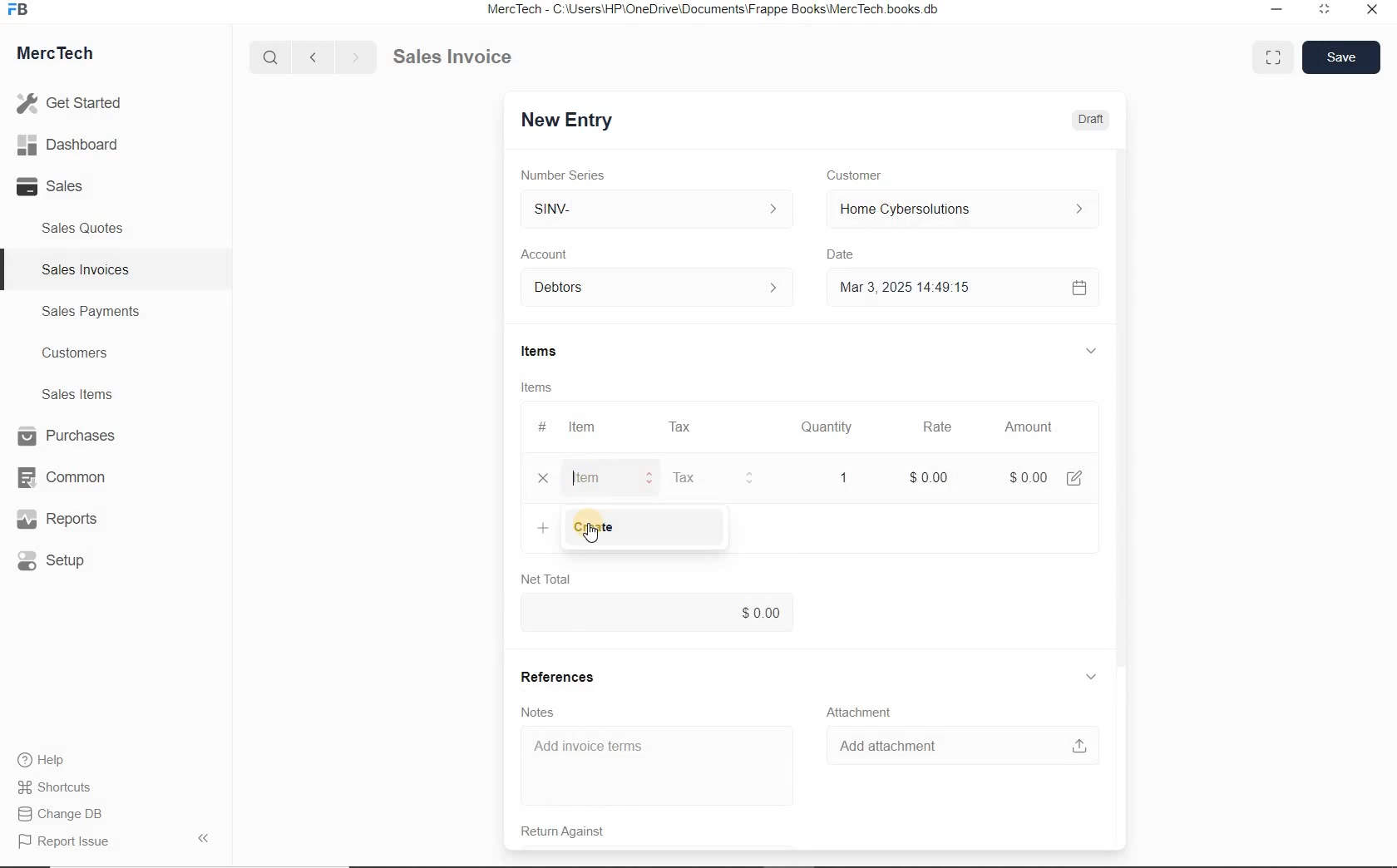 This screenshot has width=1397, height=868. I want to click on Dashboard, so click(76, 145).